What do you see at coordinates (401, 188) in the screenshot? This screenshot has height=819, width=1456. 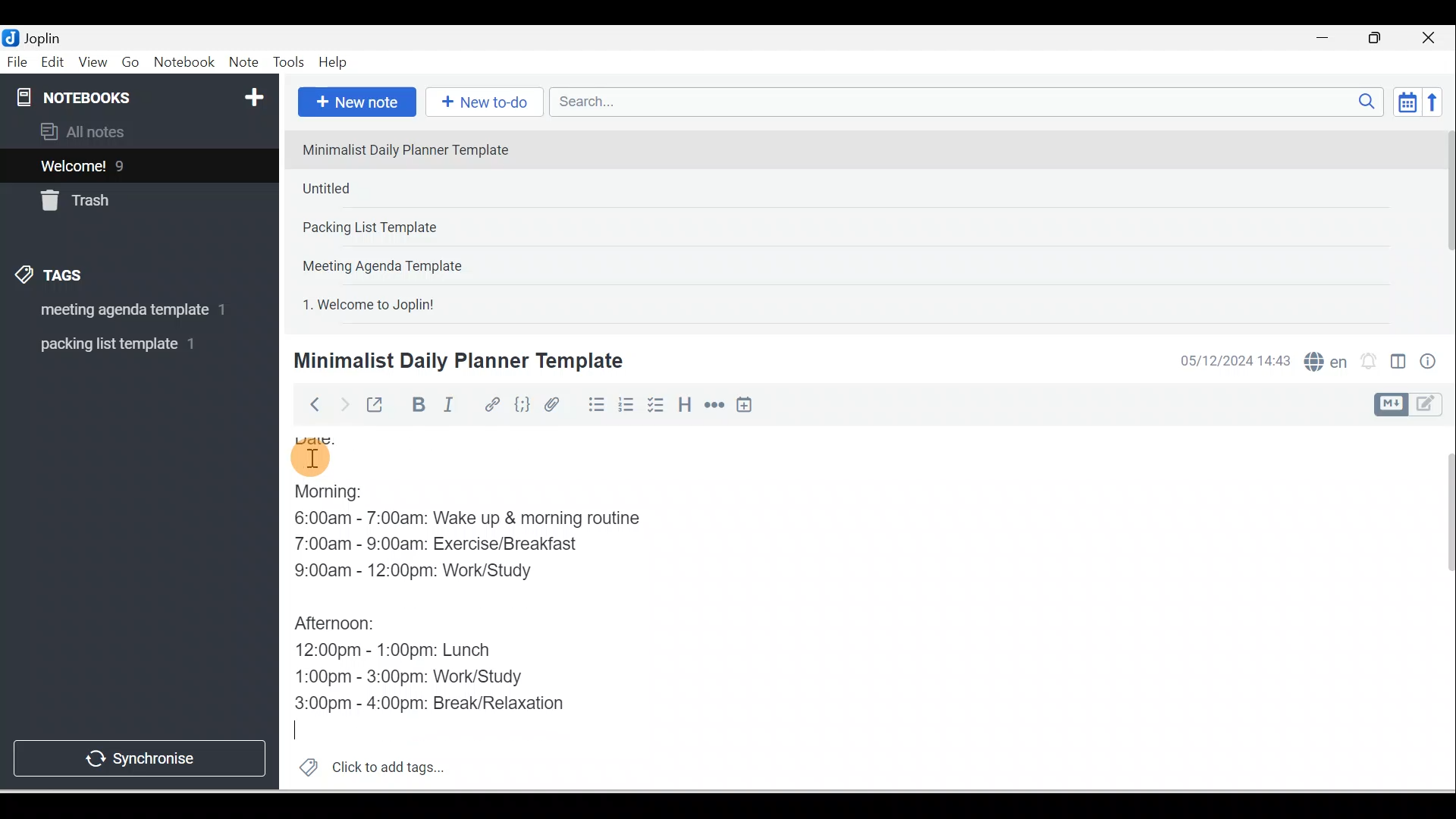 I see `Note 2` at bounding box center [401, 188].